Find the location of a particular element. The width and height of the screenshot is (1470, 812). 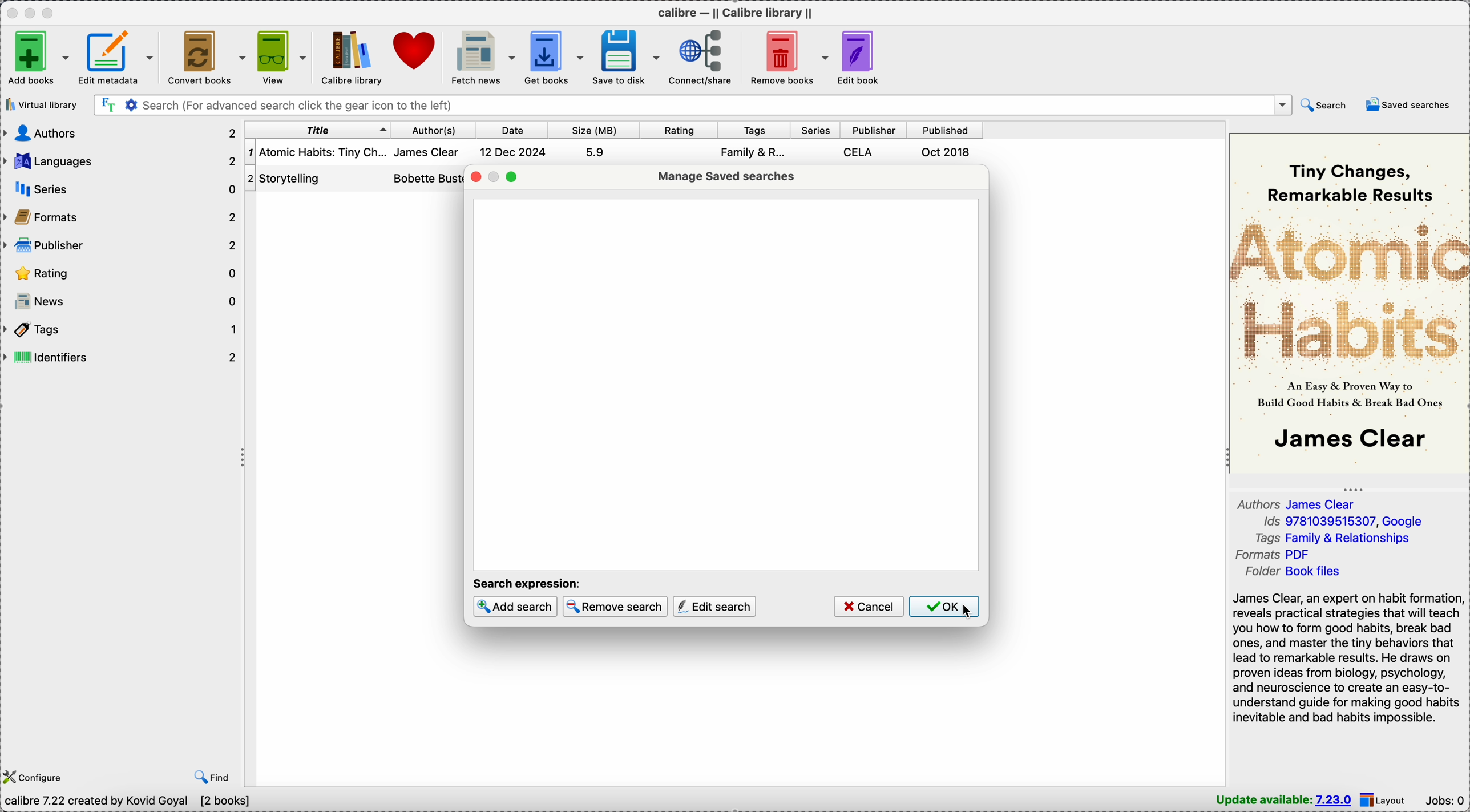

remove books is located at coordinates (786, 56).